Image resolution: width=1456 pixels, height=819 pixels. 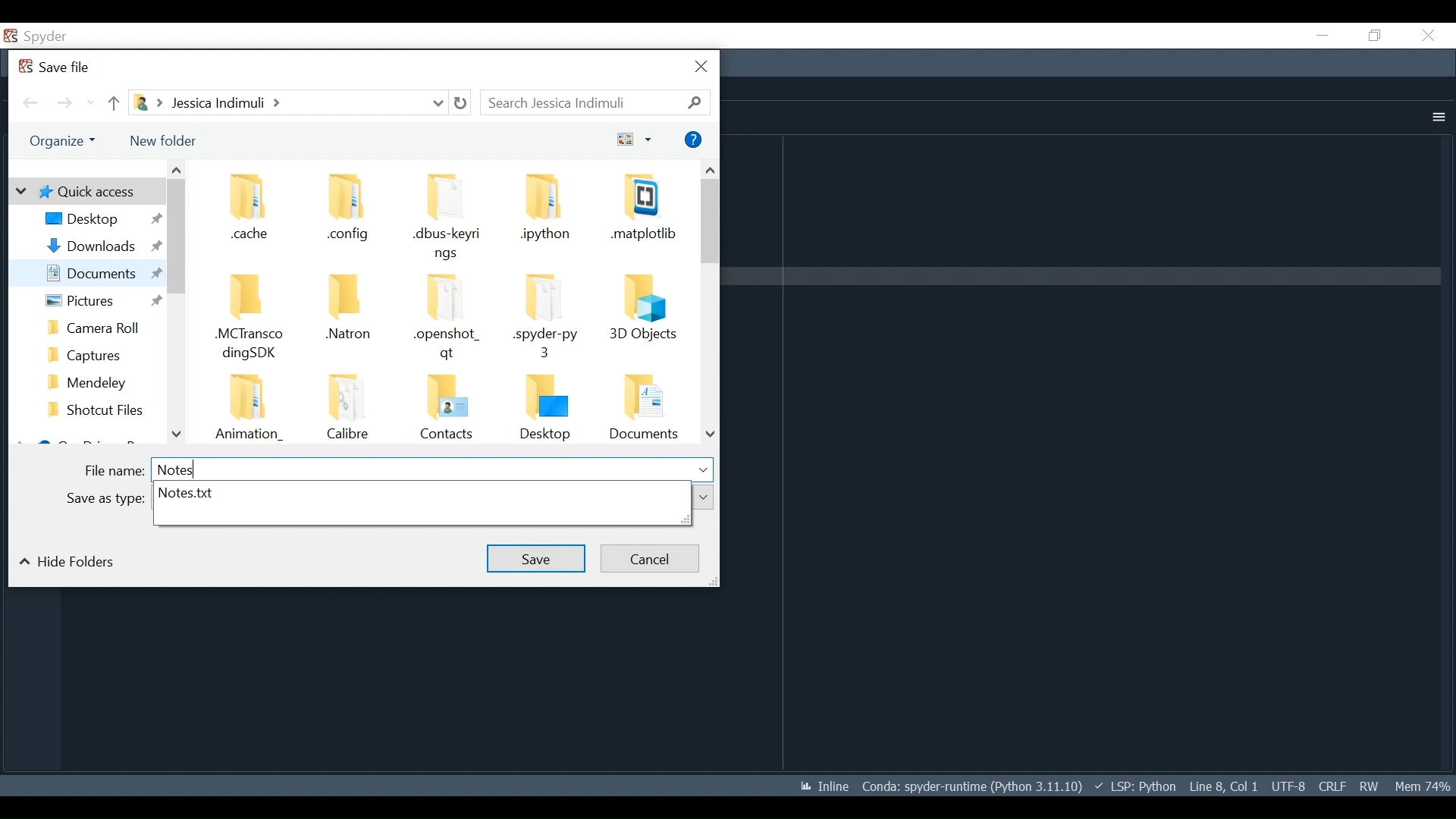 What do you see at coordinates (99, 246) in the screenshot?
I see `Downloads` at bounding box center [99, 246].